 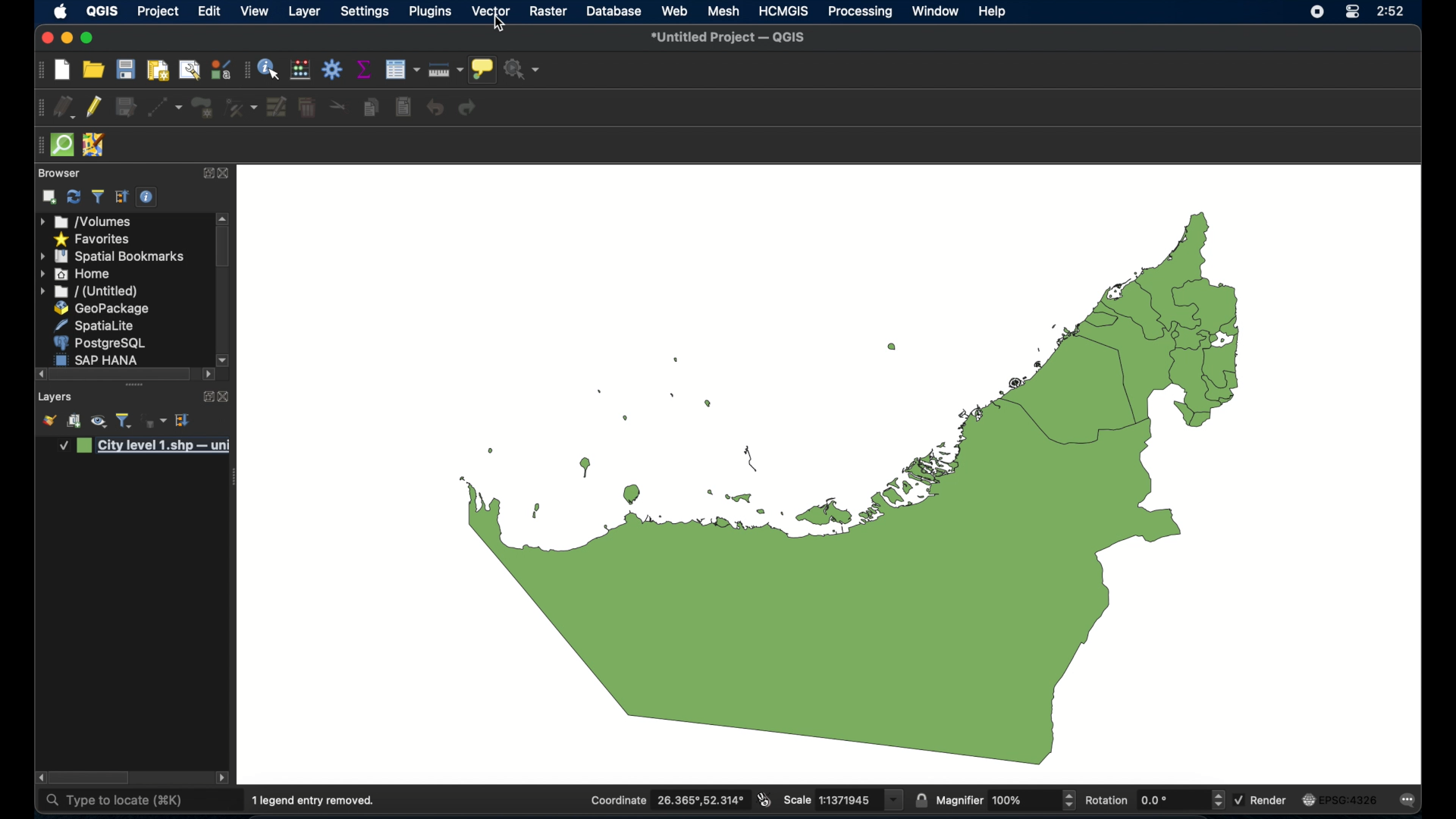 I want to click on toggle editing, so click(x=95, y=107).